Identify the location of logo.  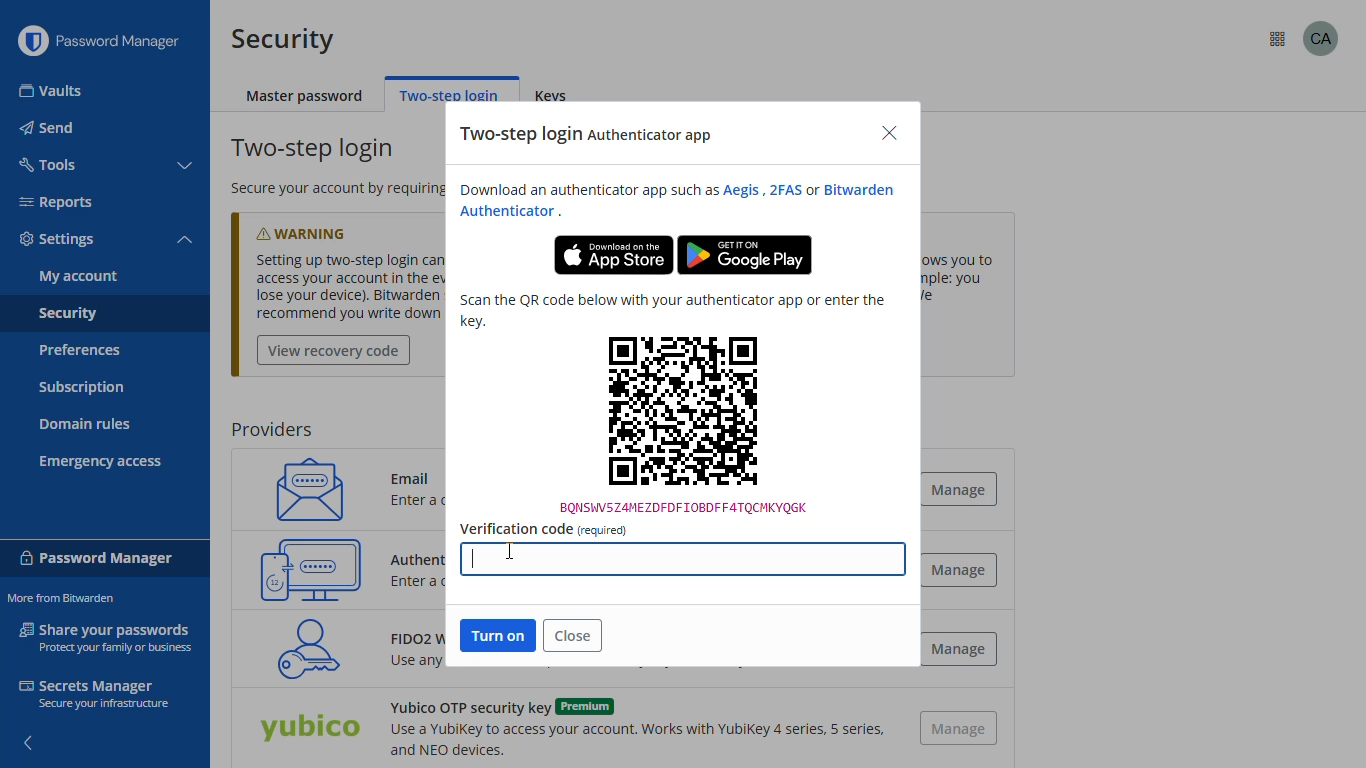
(32, 41).